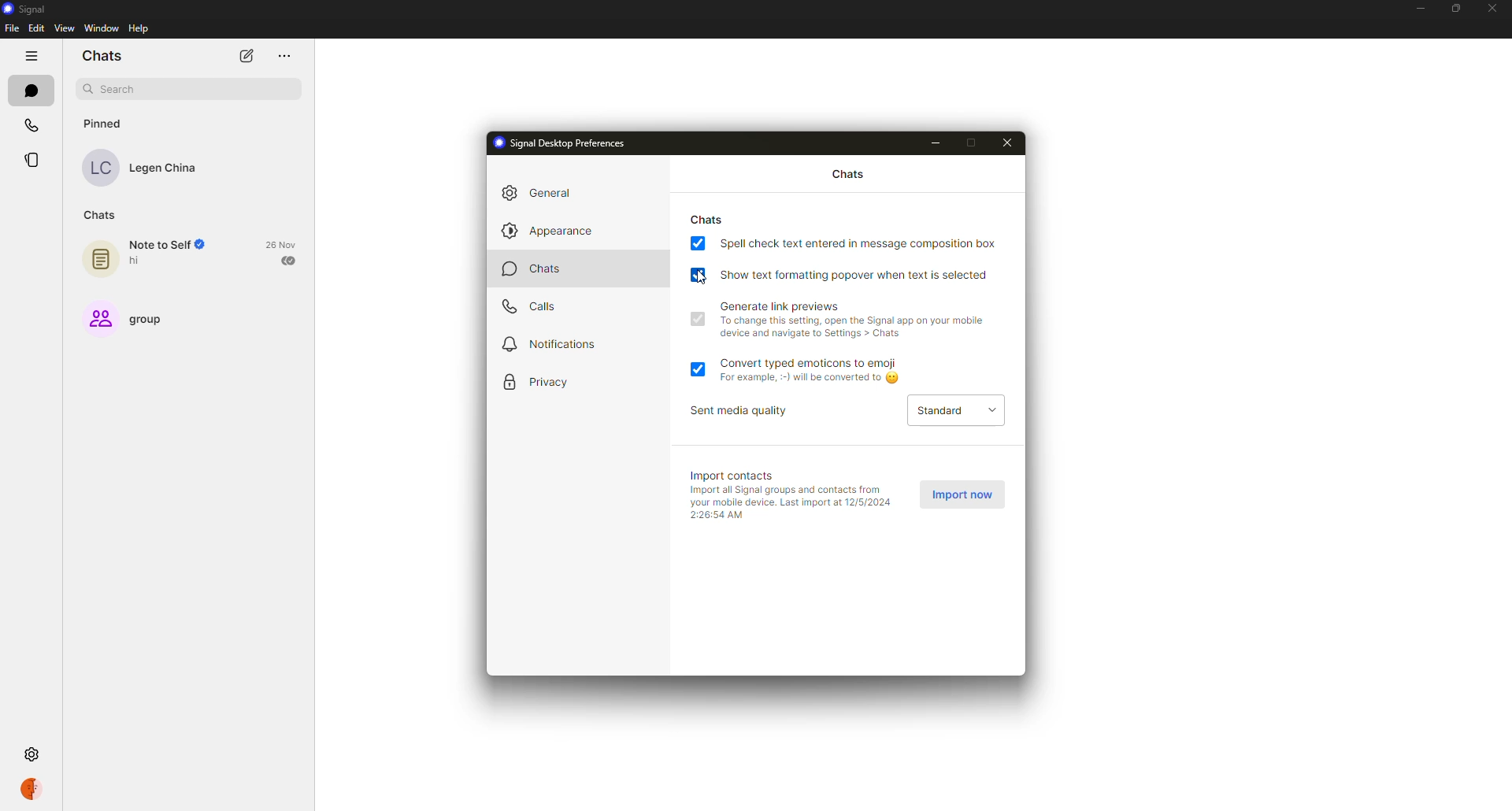  What do you see at coordinates (103, 55) in the screenshot?
I see `chats` at bounding box center [103, 55].